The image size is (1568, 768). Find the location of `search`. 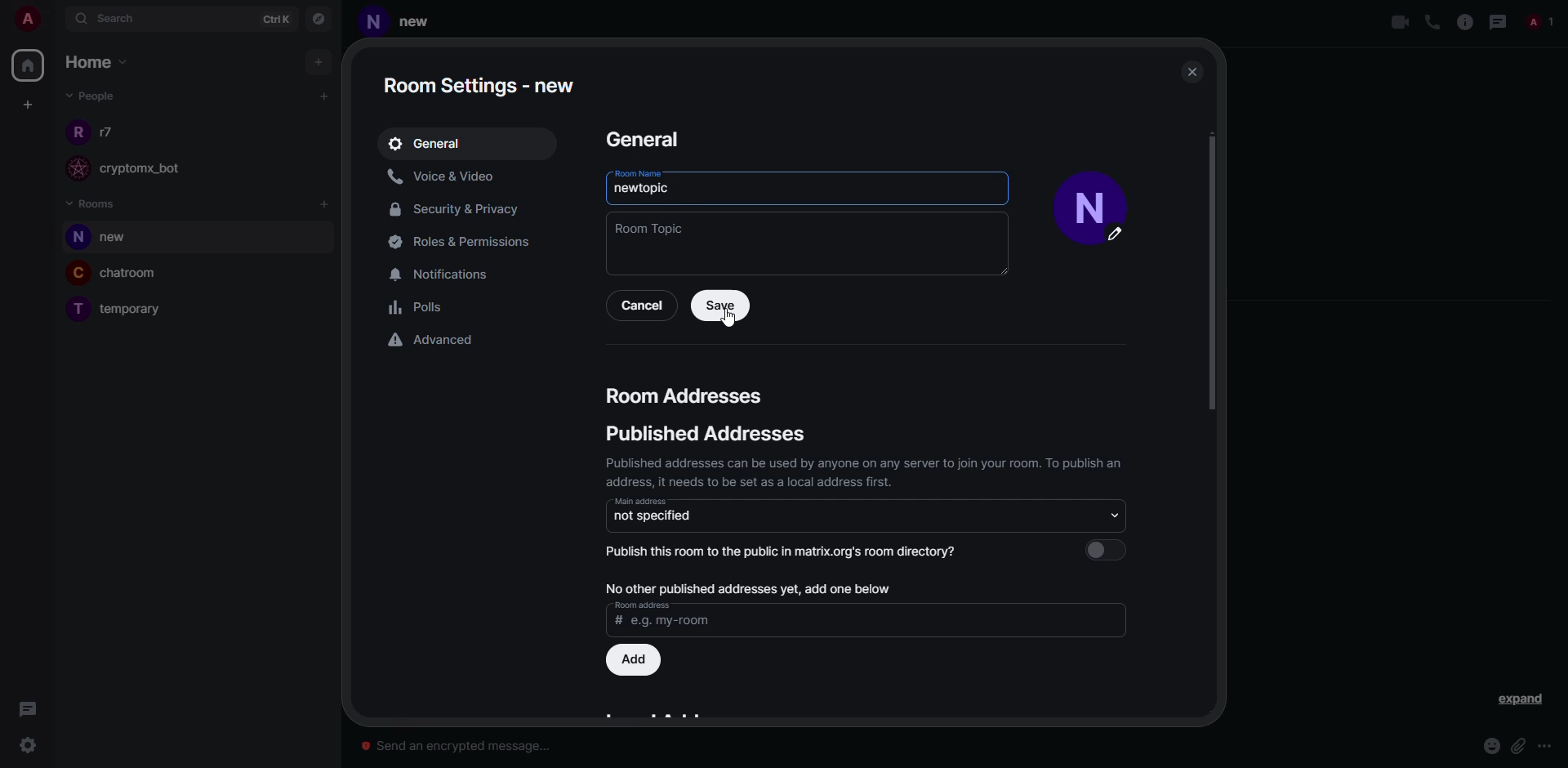

search is located at coordinates (114, 20).